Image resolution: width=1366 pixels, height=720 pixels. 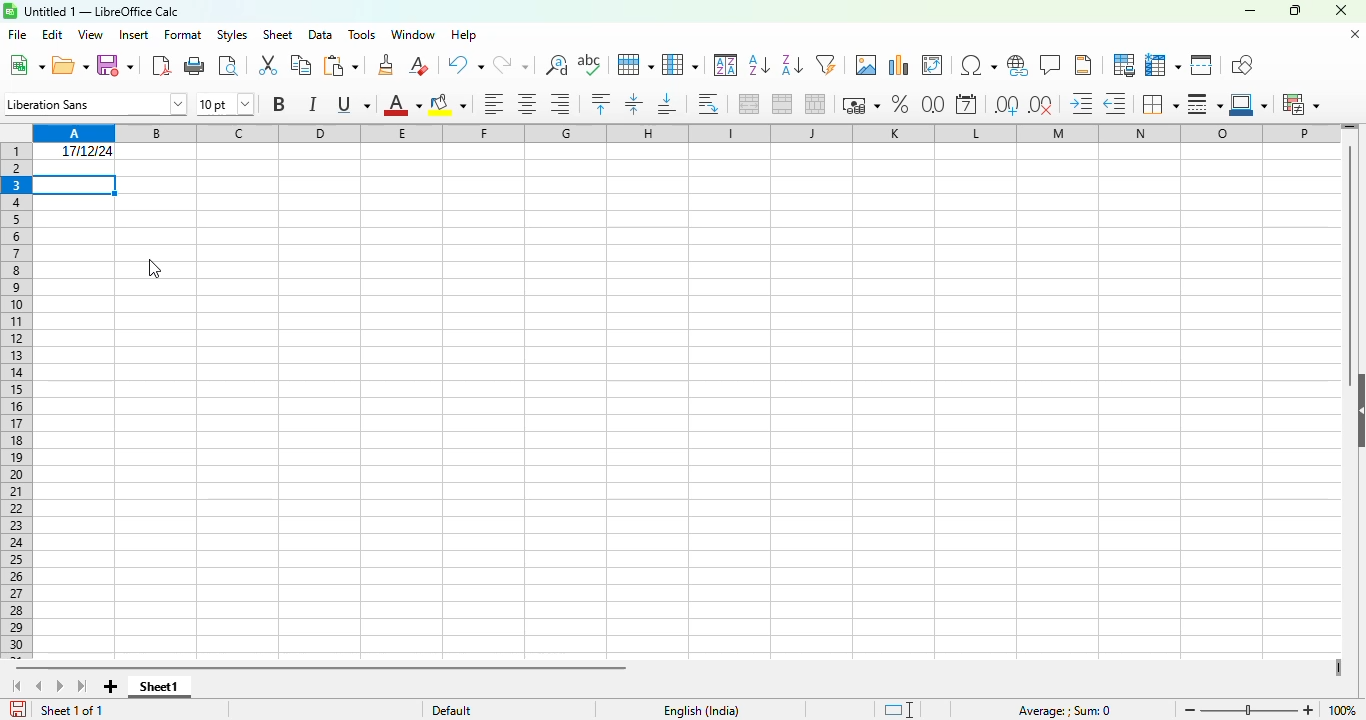 I want to click on align left, so click(x=493, y=104).